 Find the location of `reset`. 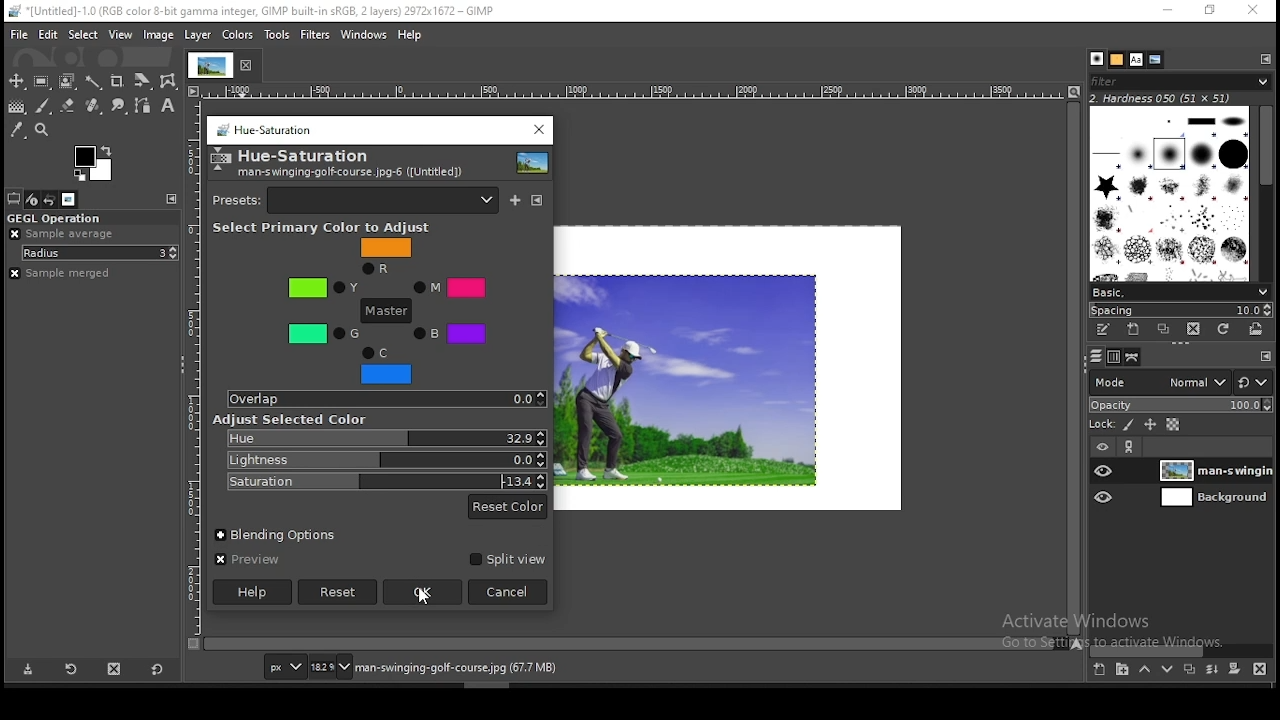

reset is located at coordinates (336, 593).